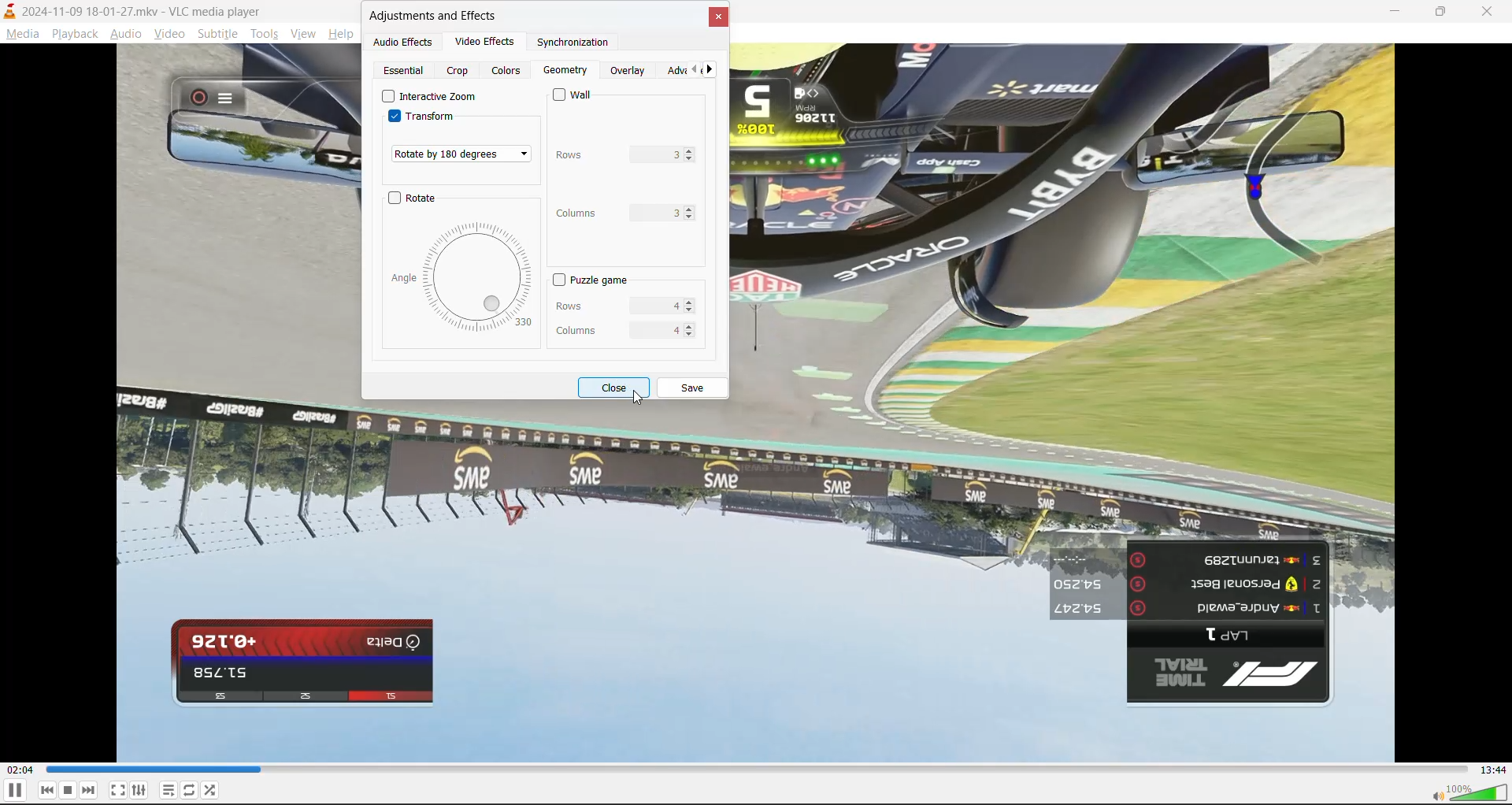 The width and height of the screenshot is (1512, 805). Describe the element at coordinates (414, 199) in the screenshot. I see `rotate` at that location.